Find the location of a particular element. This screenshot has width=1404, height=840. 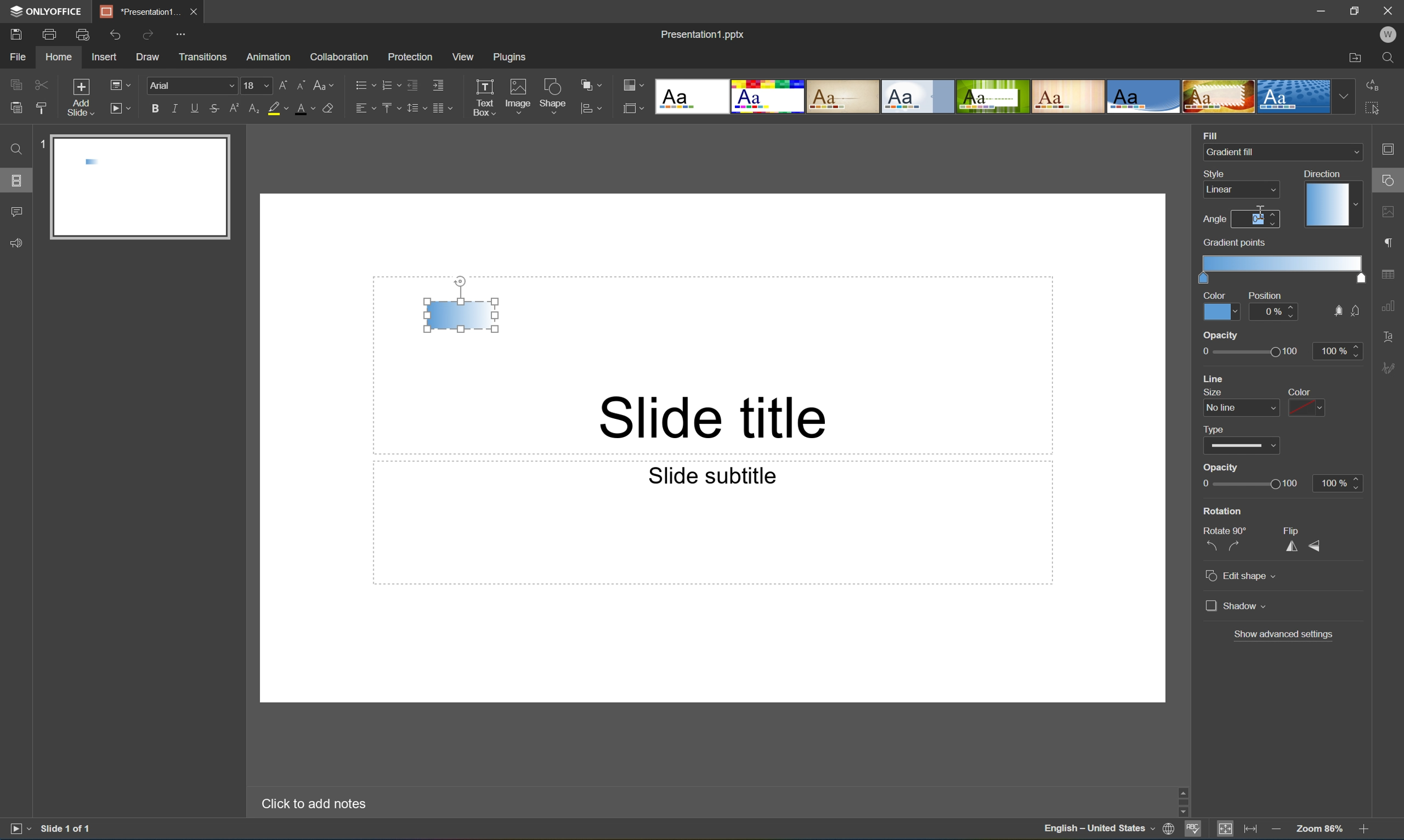

Copy is located at coordinates (16, 84).